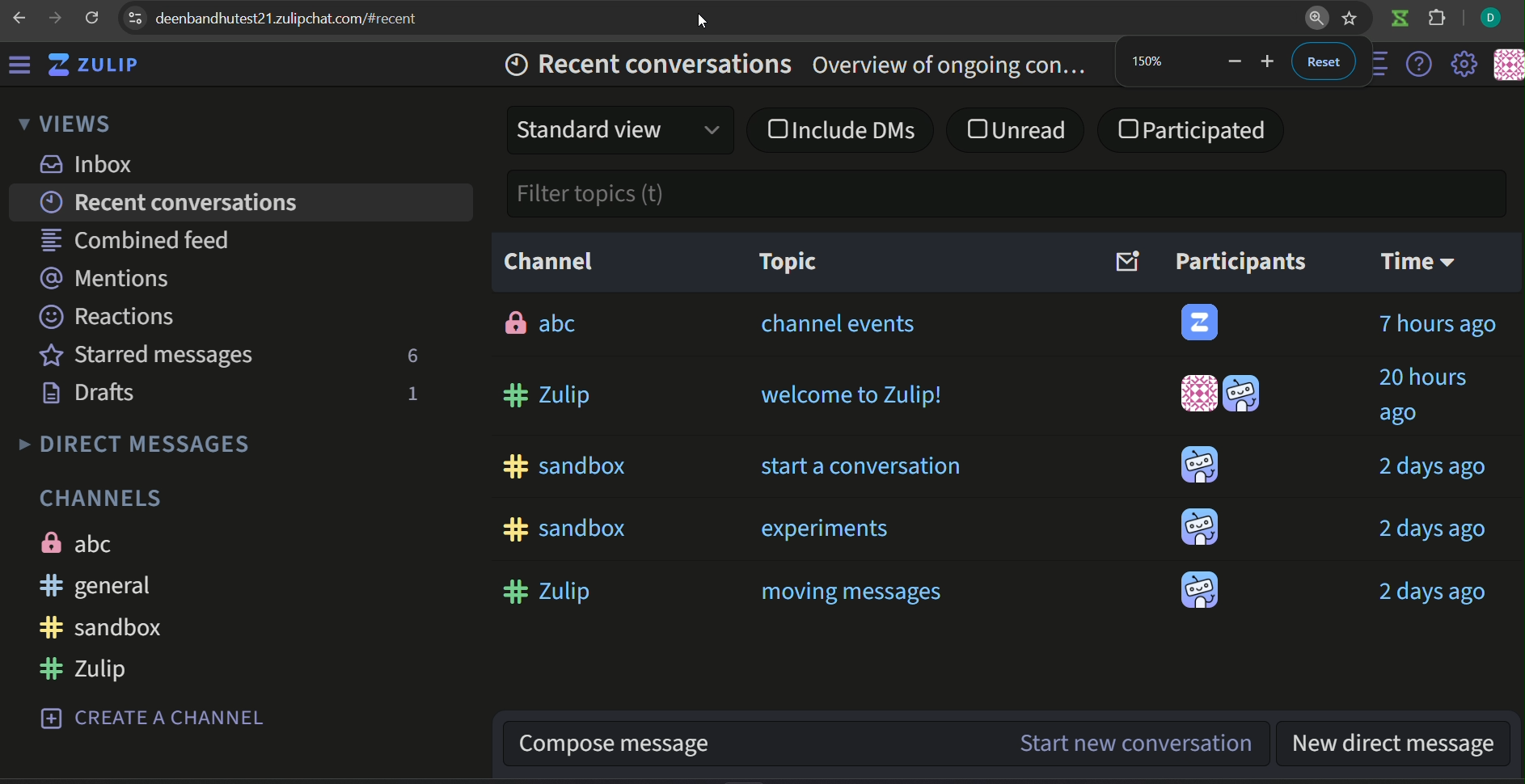  I want to click on options, so click(134, 16).